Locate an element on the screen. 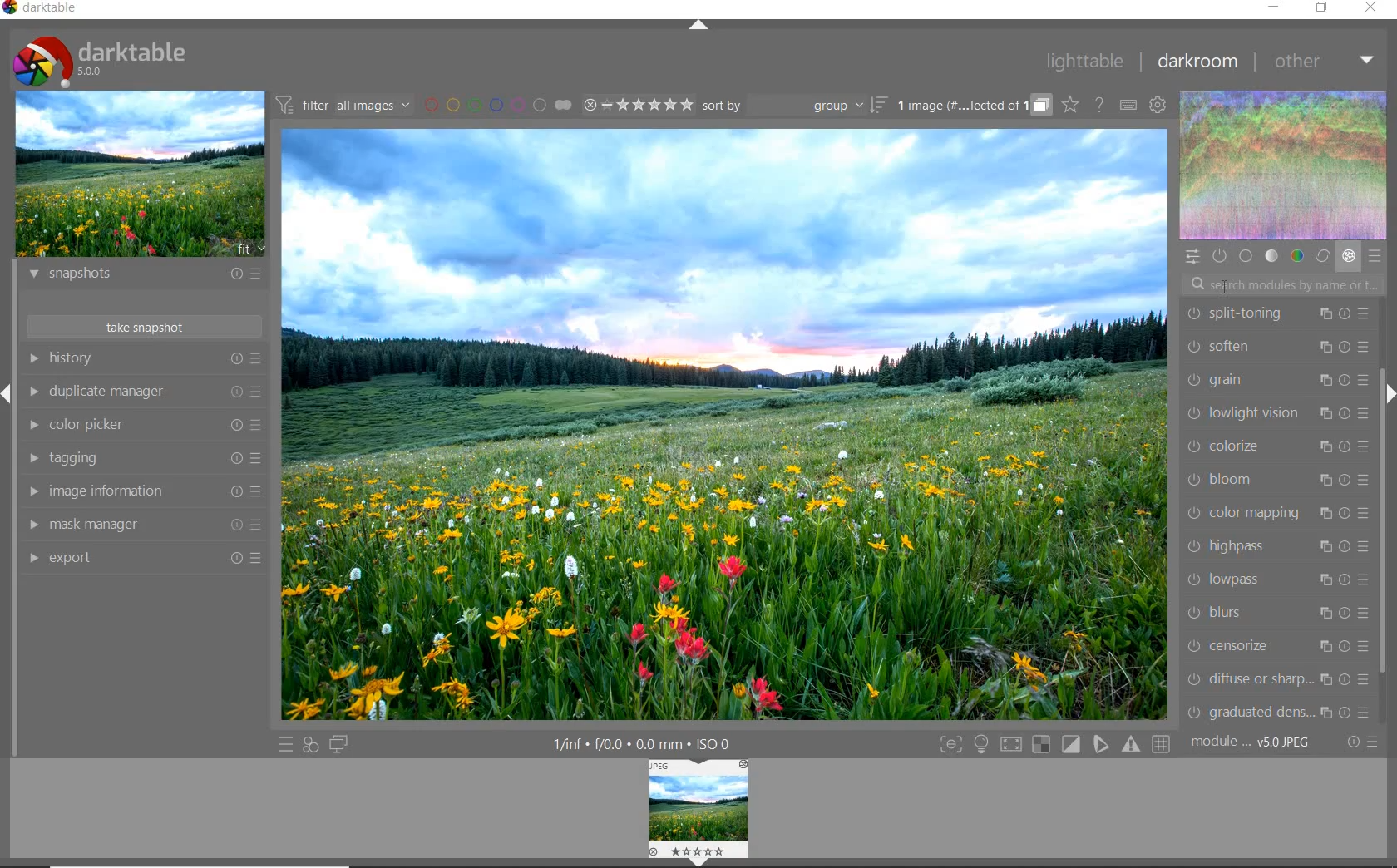 The width and height of the screenshot is (1397, 868). minimize is located at coordinates (1276, 8).